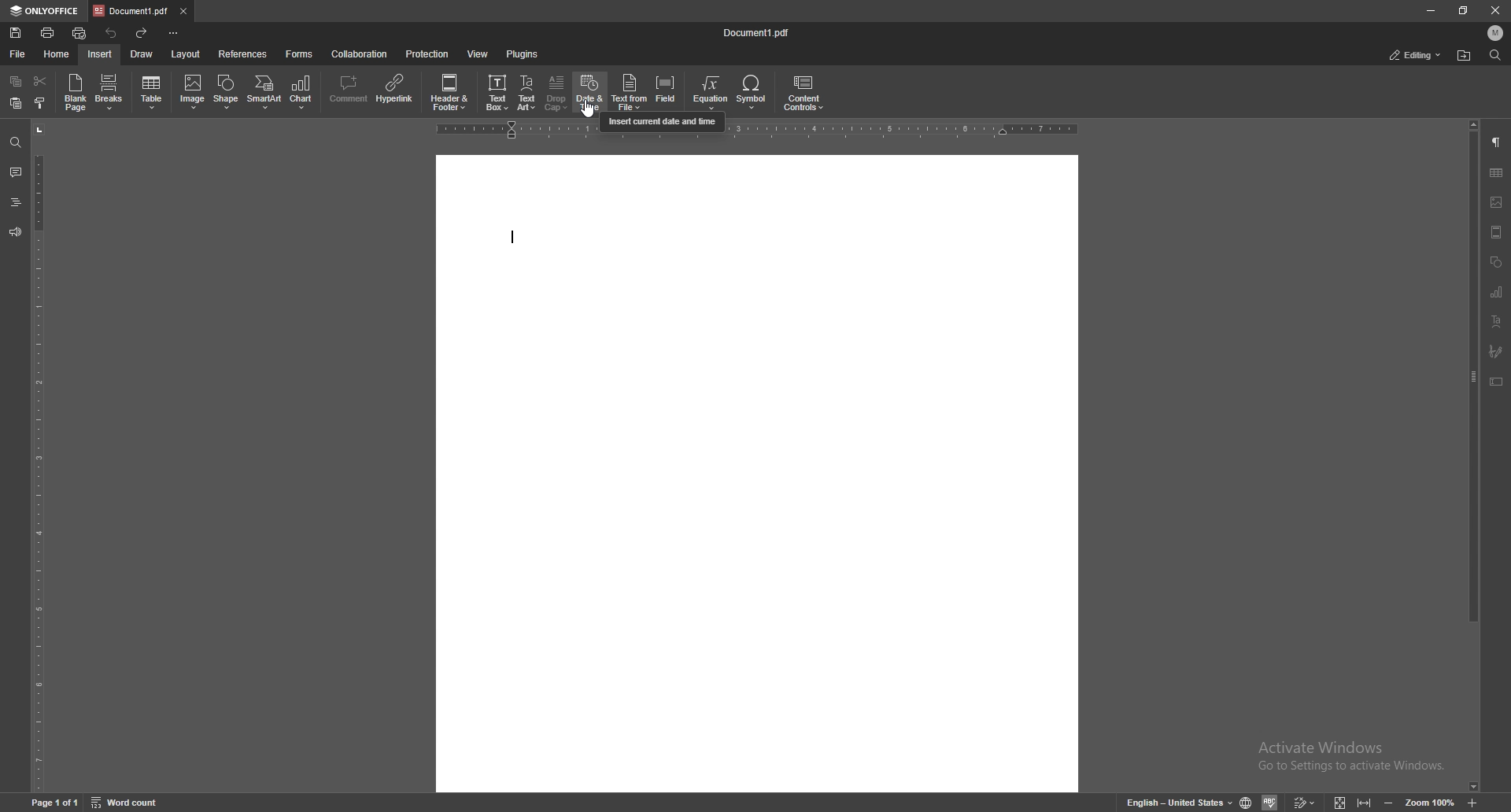 This screenshot has height=812, width=1511. What do you see at coordinates (46, 11) in the screenshot?
I see `onlyoffice` at bounding box center [46, 11].